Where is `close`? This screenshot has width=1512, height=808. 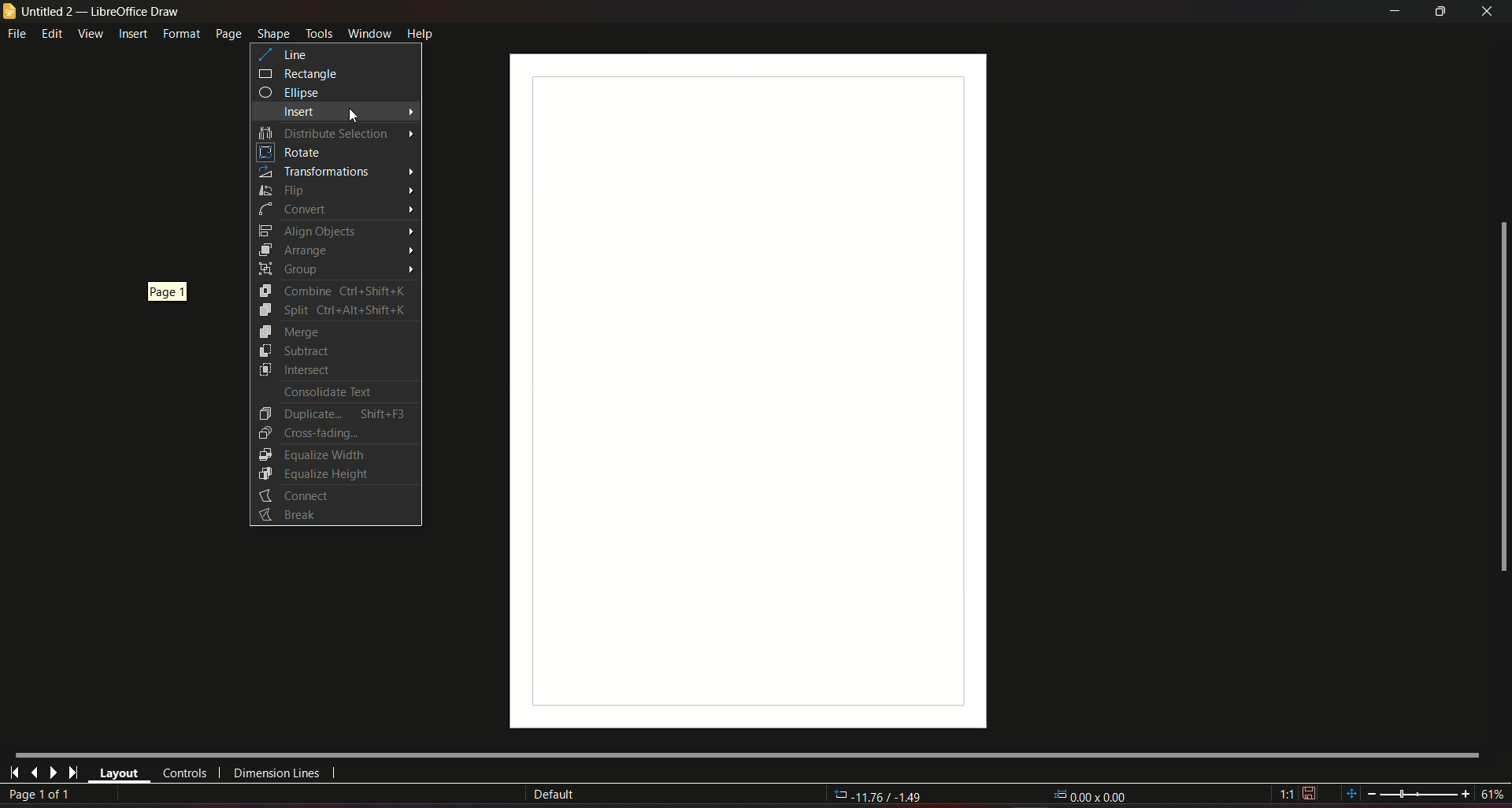 close is located at coordinates (1488, 11).